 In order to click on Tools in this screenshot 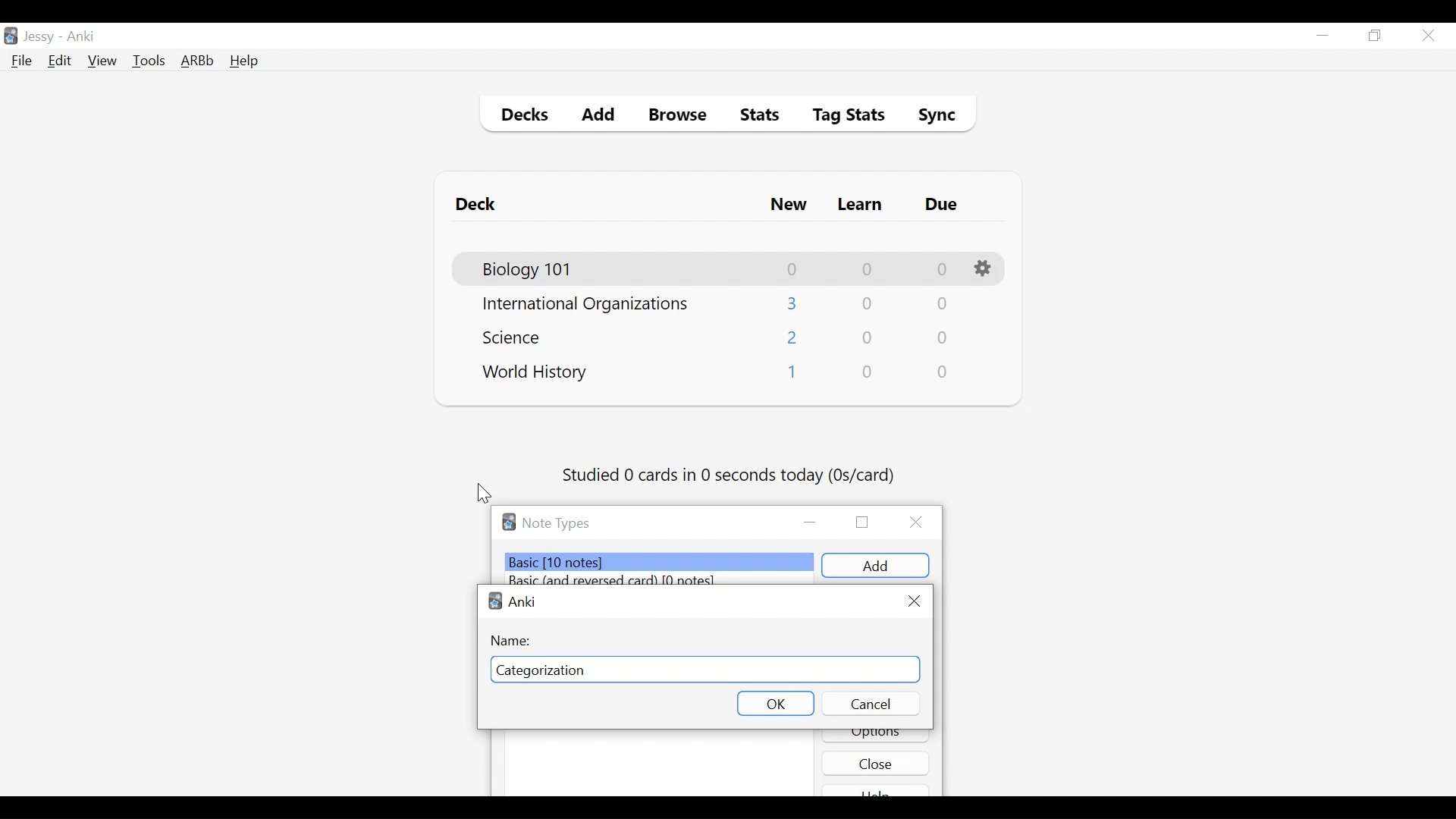, I will do `click(149, 60)`.